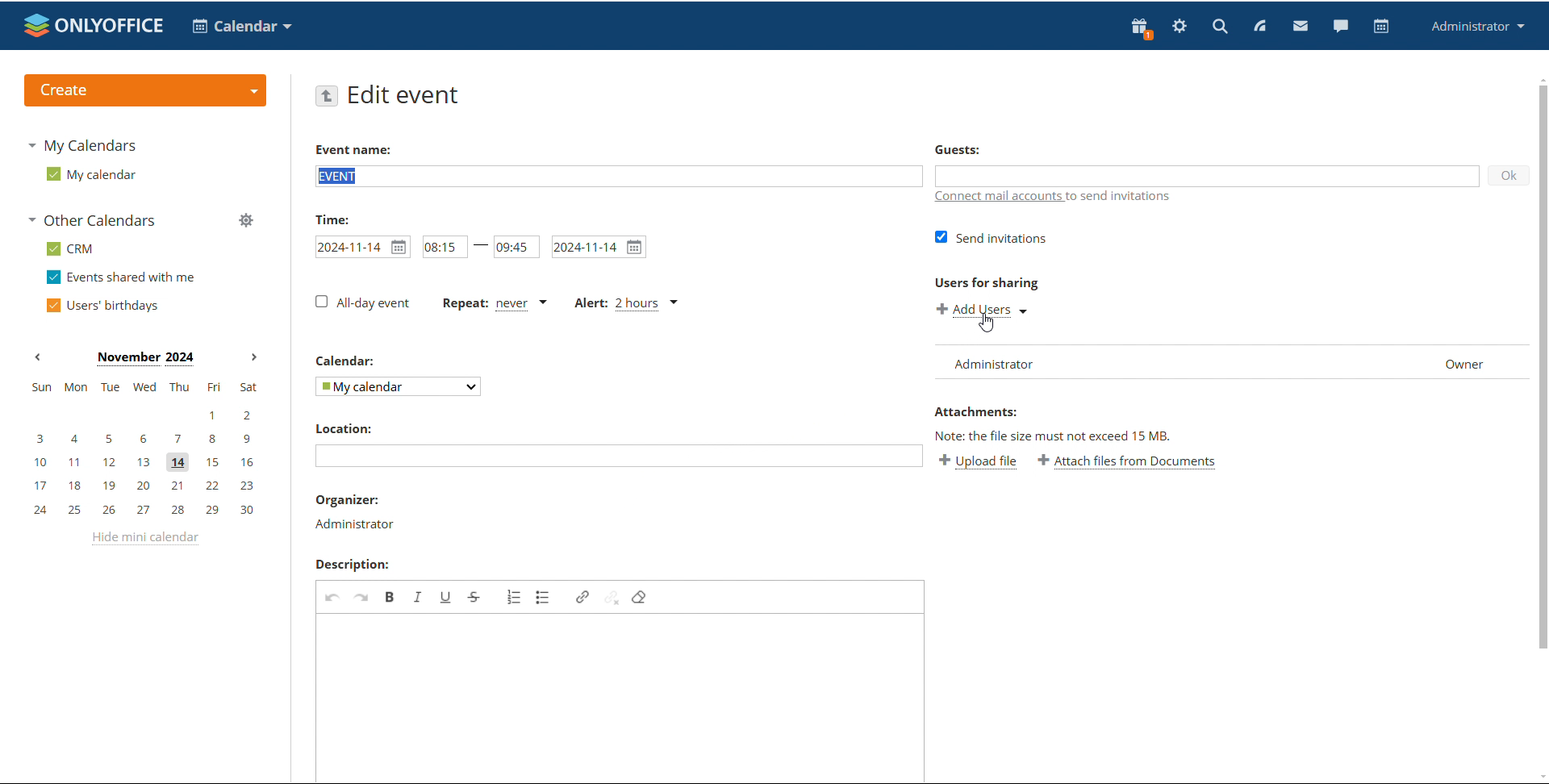 This screenshot has width=1549, height=784. What do you see at coordinates (390, 596) in the screenshot?
I see `bold` at bounding box center [390, 596].